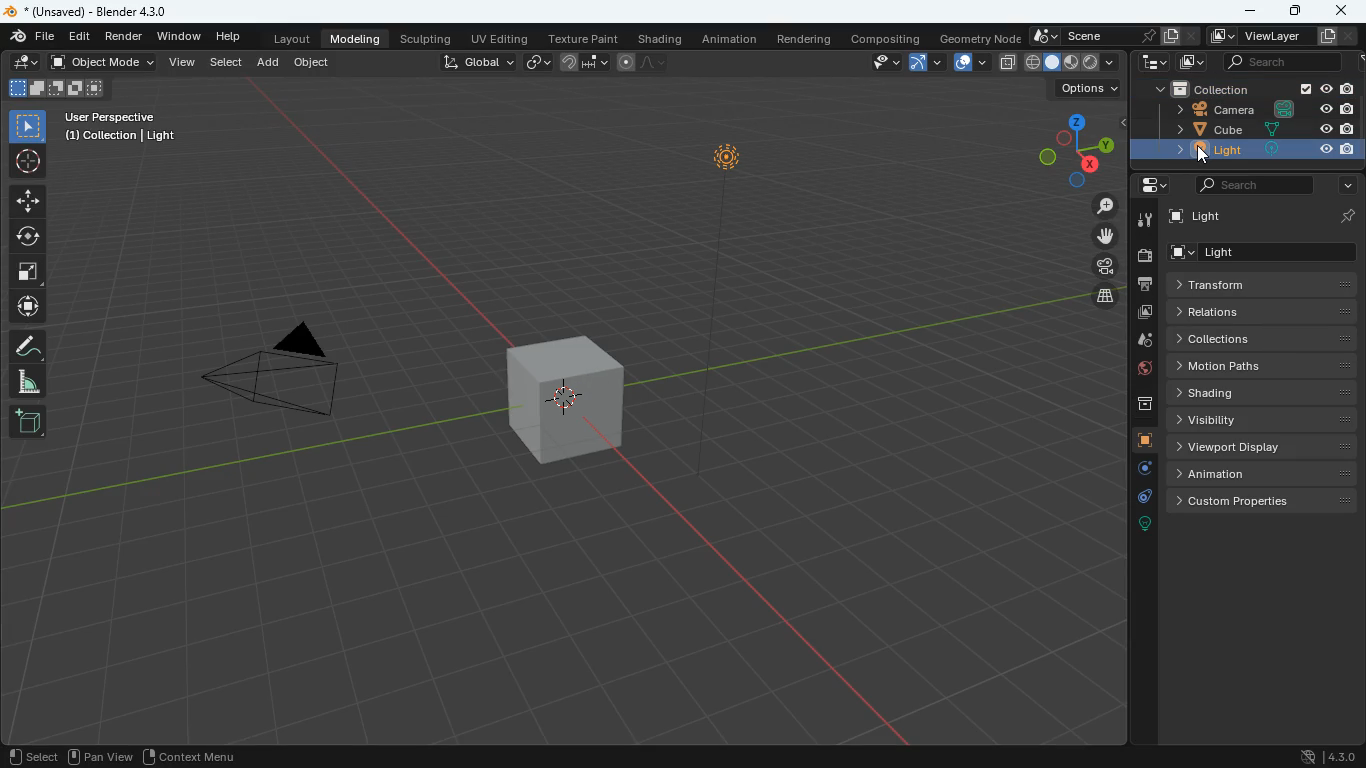 This screenshot has width=1366, height=768. What do you see at coordinates (1264, 421) in the screenshot?
I see `visibility` at bounding box center [1264, 421].